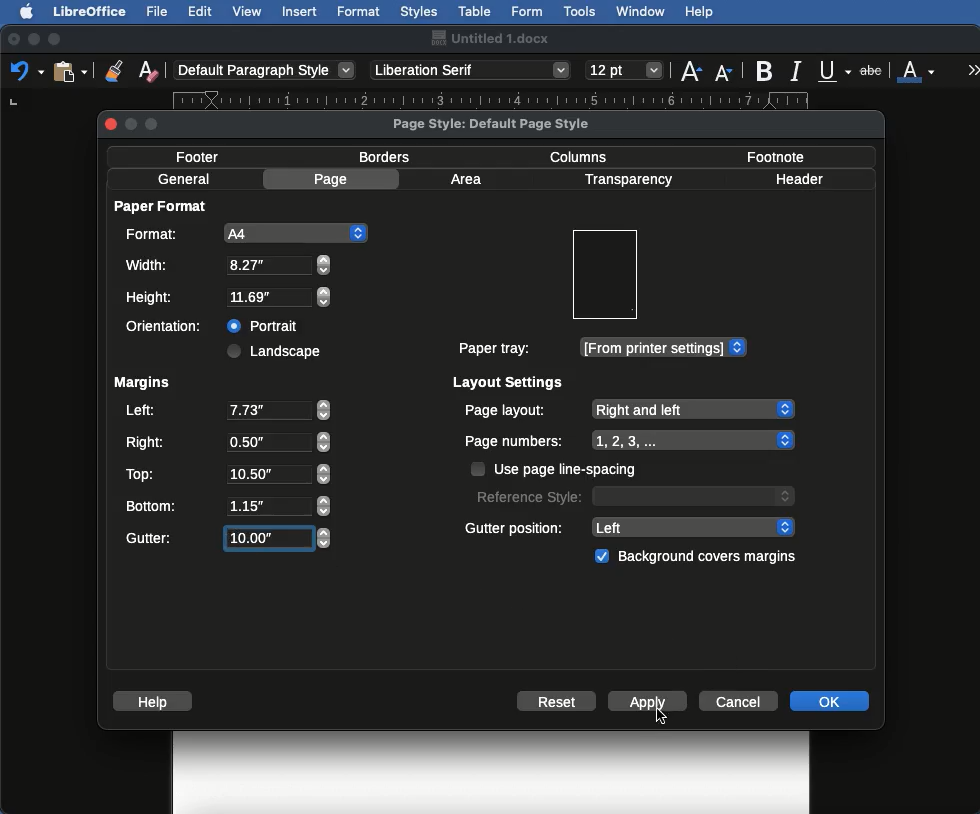 The width and height of the screenshot is (980, 814). I want to click on Borders, so click(386, 157).